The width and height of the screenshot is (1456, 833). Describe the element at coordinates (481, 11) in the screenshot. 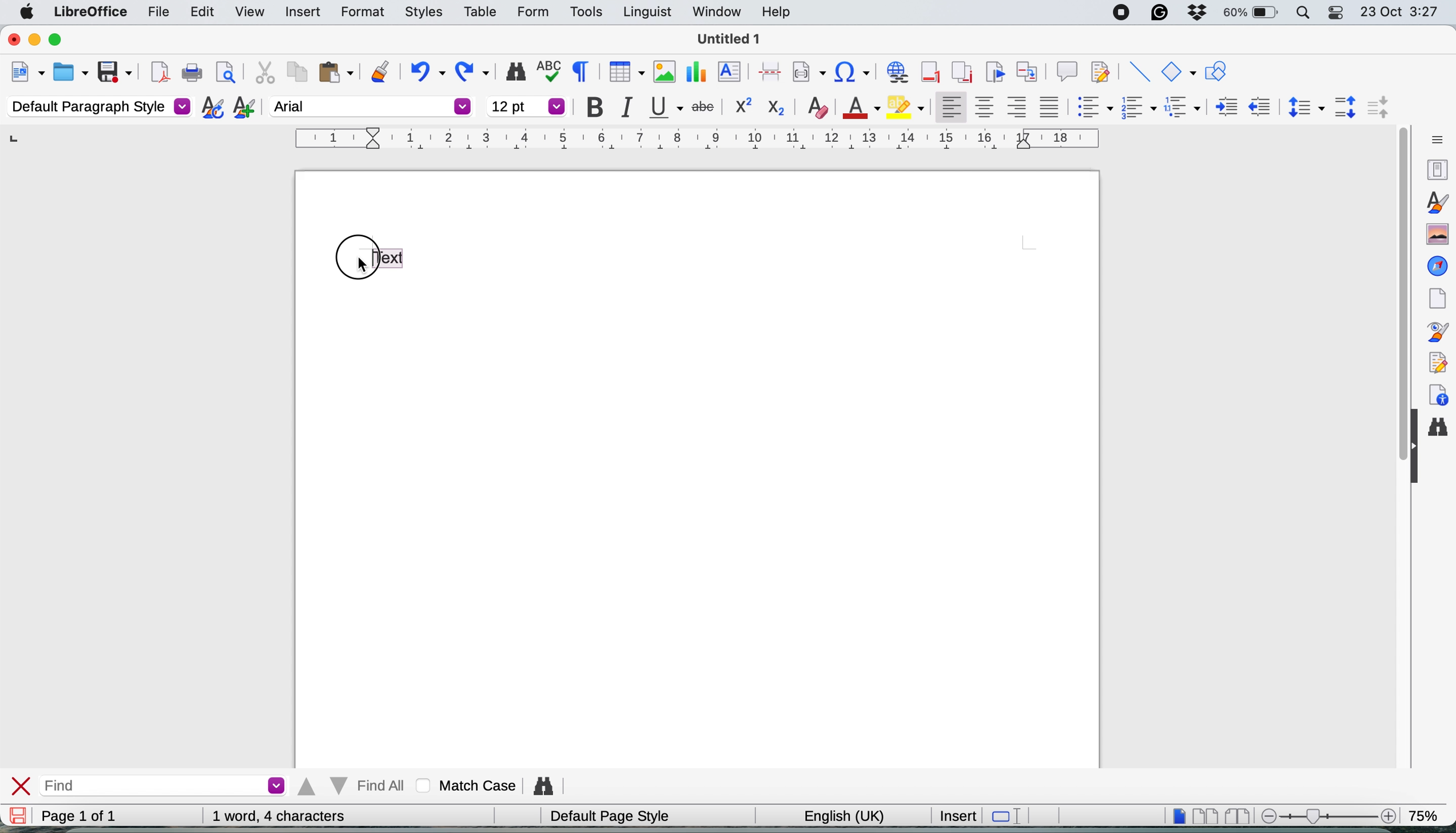

I see `table` at that location.